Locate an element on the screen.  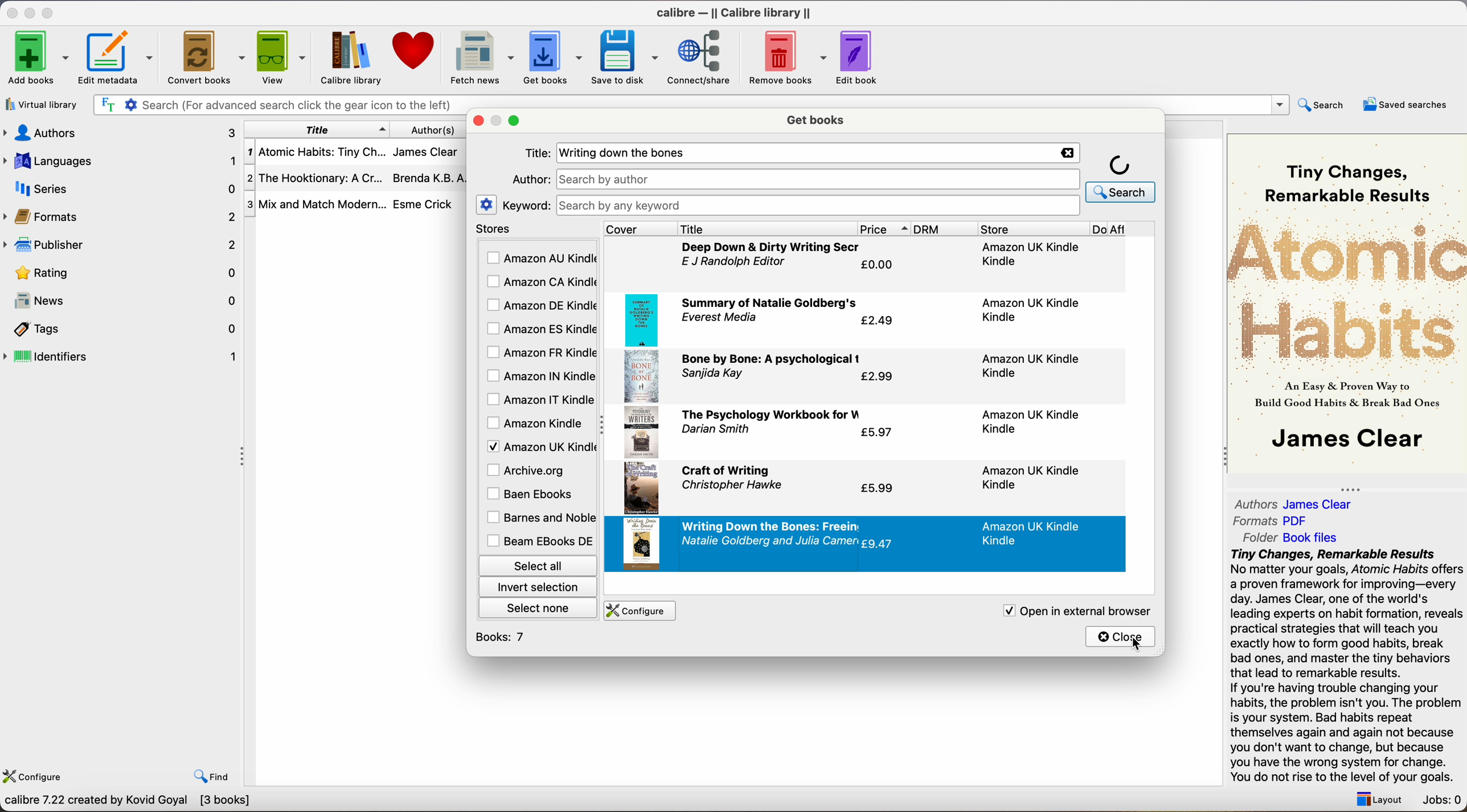
Atomic Habits: Tiny Ch... is located at coordinates (315, 153).